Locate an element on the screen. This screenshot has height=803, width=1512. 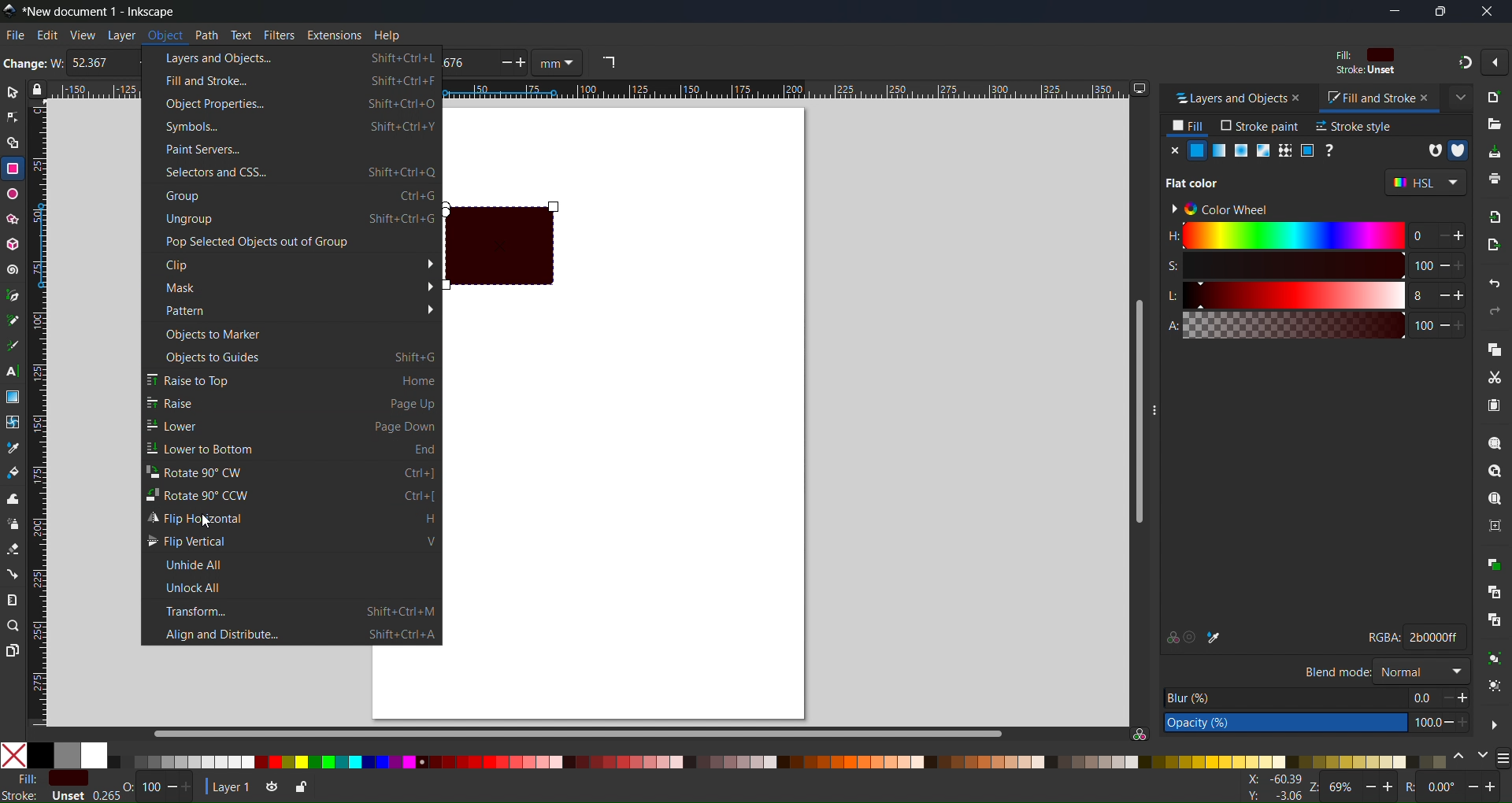
Align and Distribute is located at coordinates (292, 634).